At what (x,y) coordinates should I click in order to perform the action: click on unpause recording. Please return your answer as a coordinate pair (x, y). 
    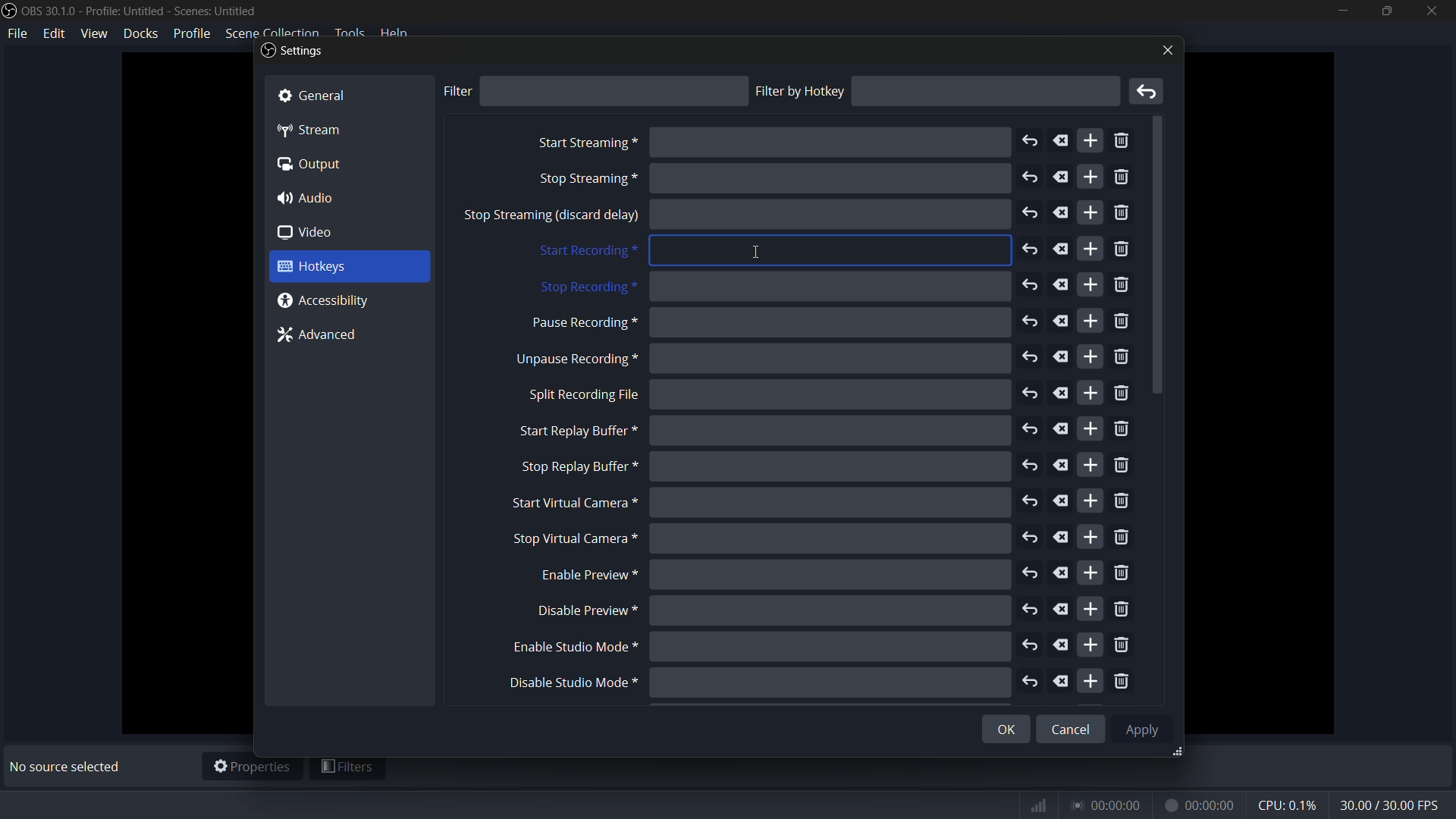
    Looking at the image, I should click on (575, 359).